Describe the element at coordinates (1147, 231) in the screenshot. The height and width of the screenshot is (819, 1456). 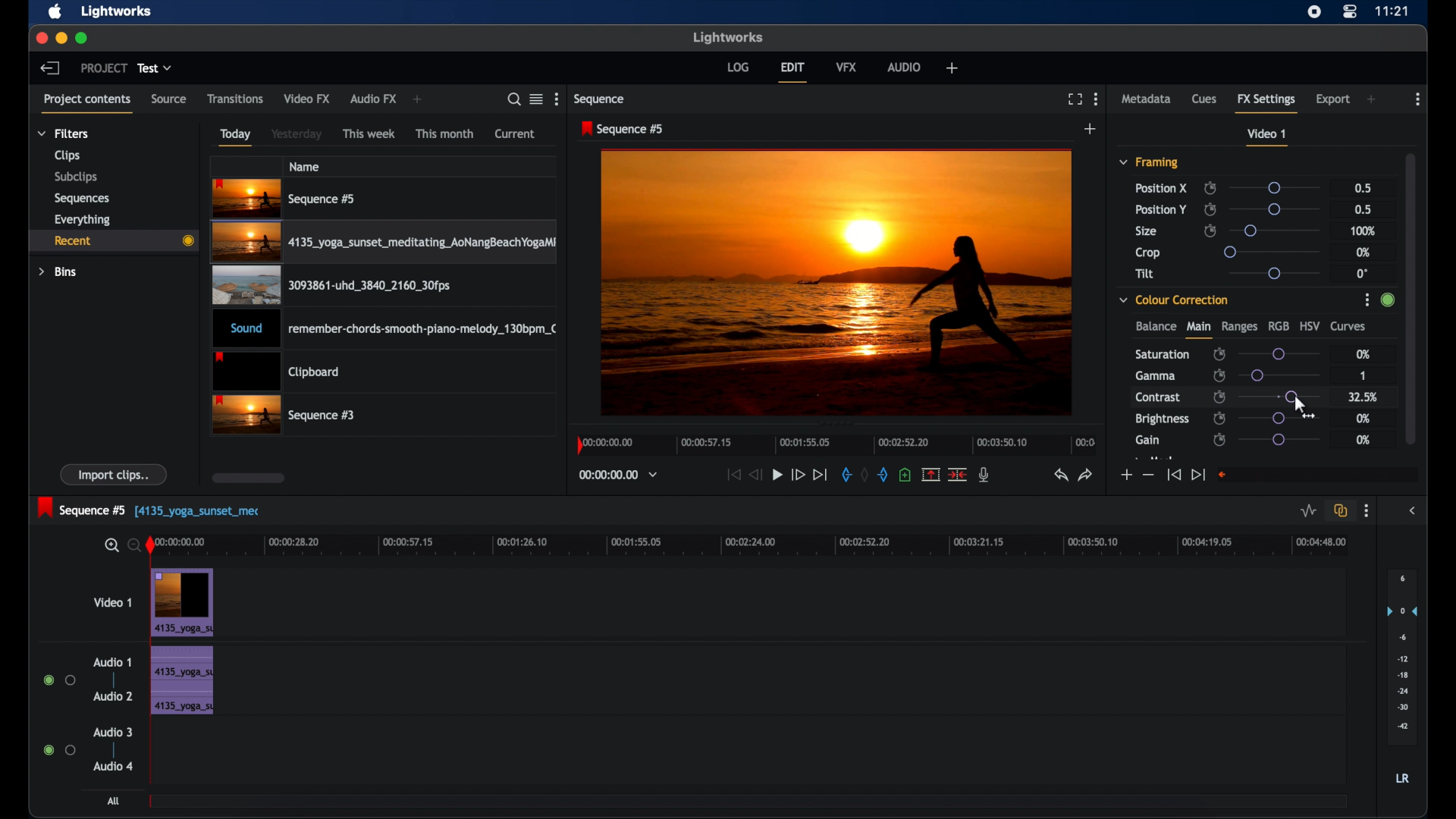
I see `size` at that location.